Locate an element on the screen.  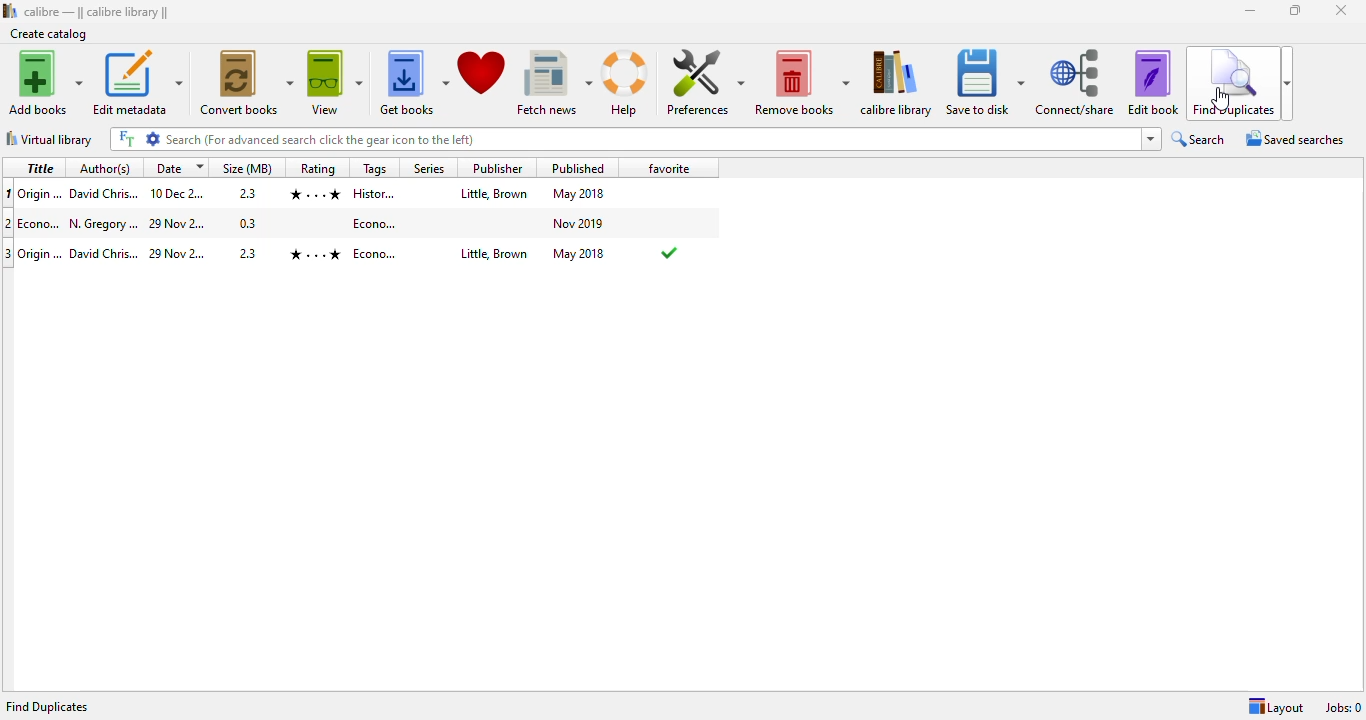
calibre library is located at coordinates (898, 83).